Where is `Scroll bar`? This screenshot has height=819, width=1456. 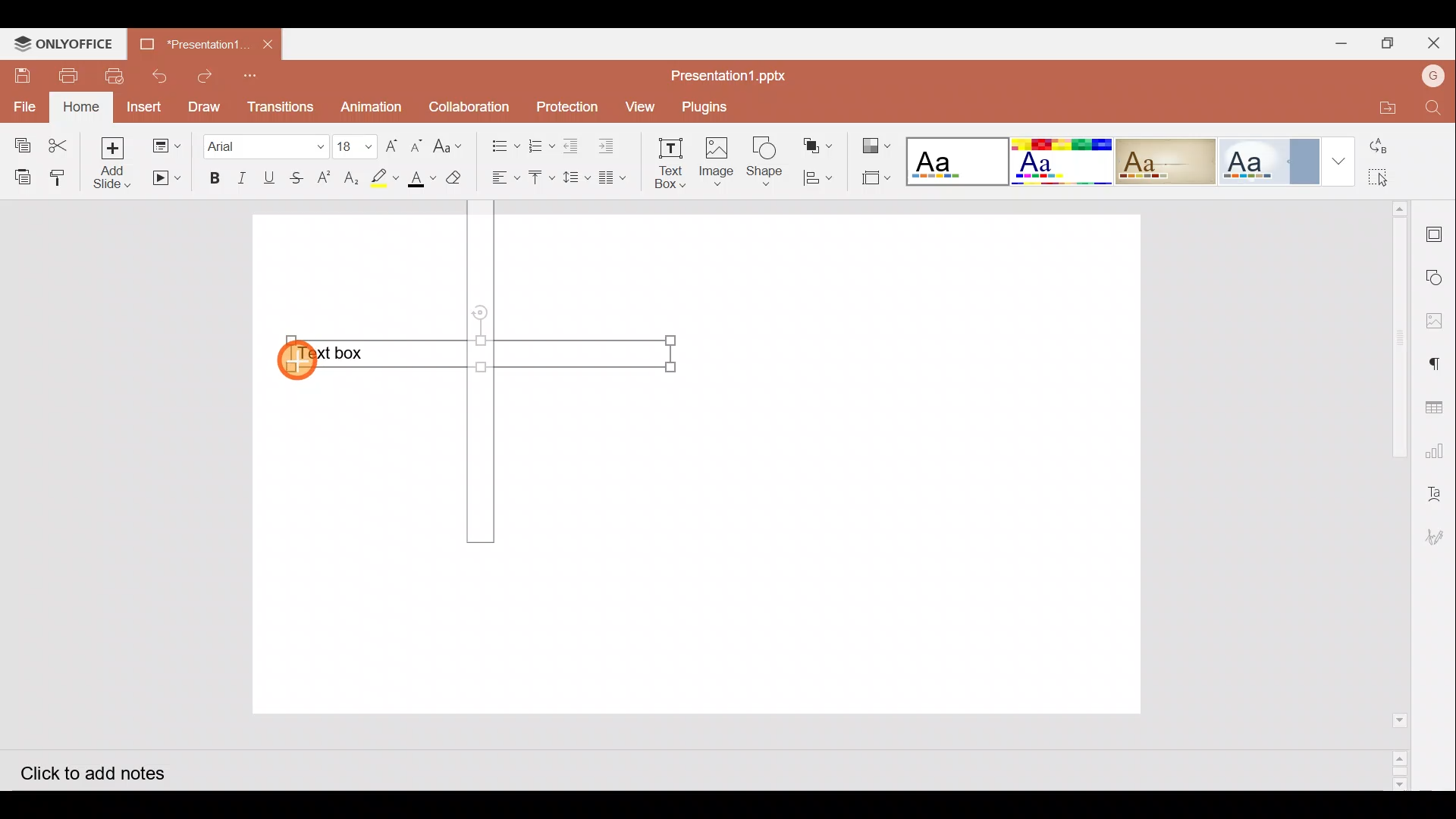
Scroll bar is located at coordinates (1394, 495).